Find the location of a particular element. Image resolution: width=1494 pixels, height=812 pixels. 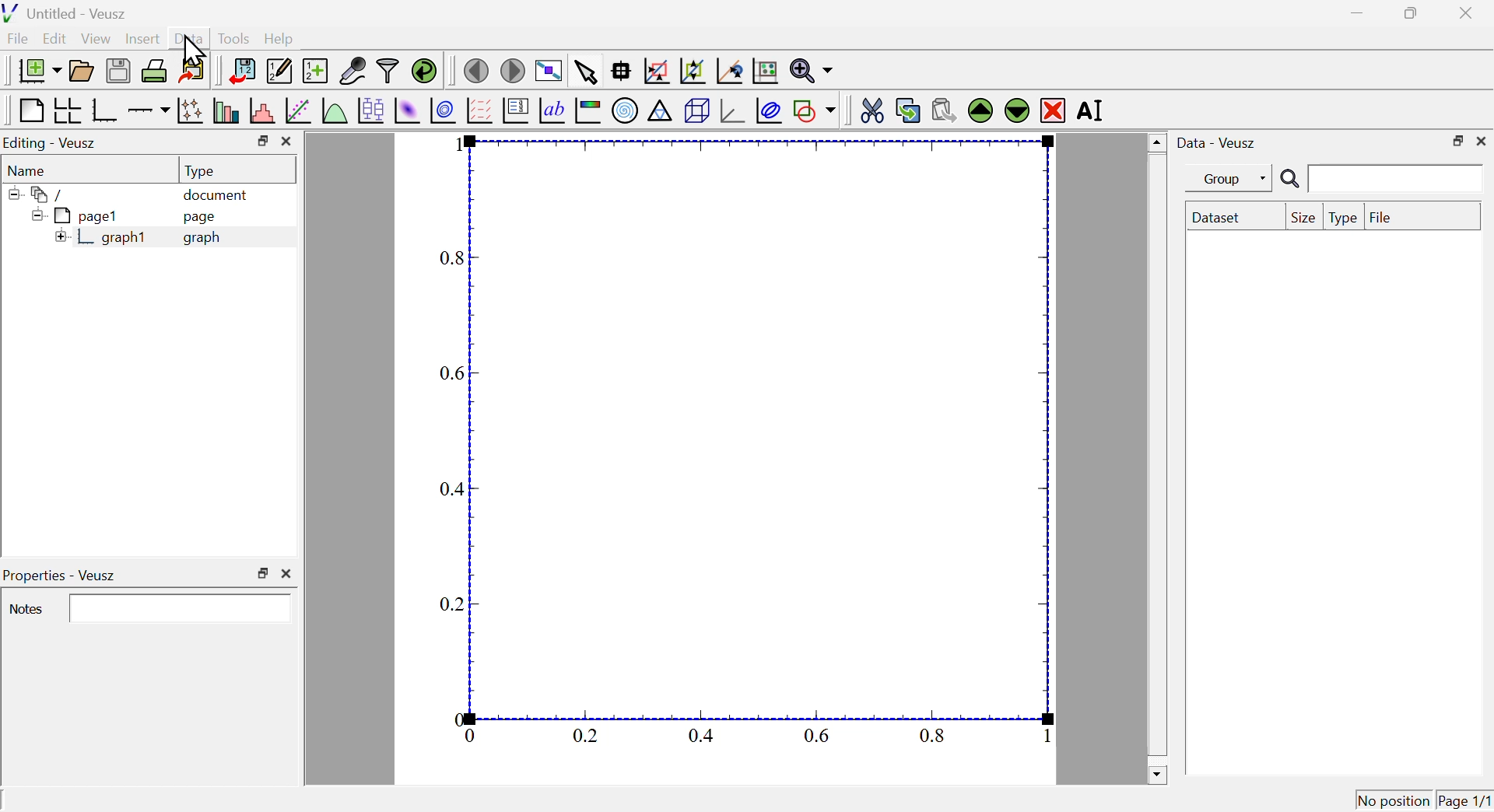

group is located at coordinates (1221, 179).